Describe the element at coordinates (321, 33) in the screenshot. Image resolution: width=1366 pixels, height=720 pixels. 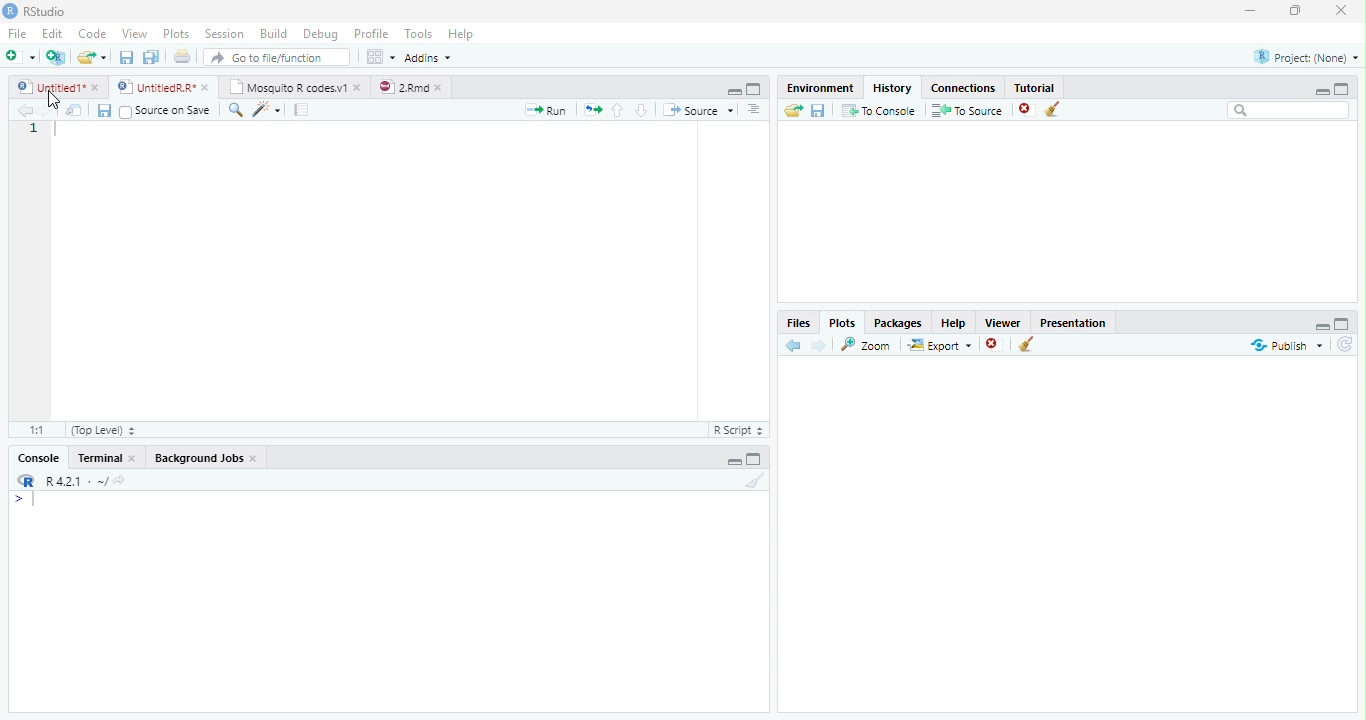
I see `Debug` at that location.